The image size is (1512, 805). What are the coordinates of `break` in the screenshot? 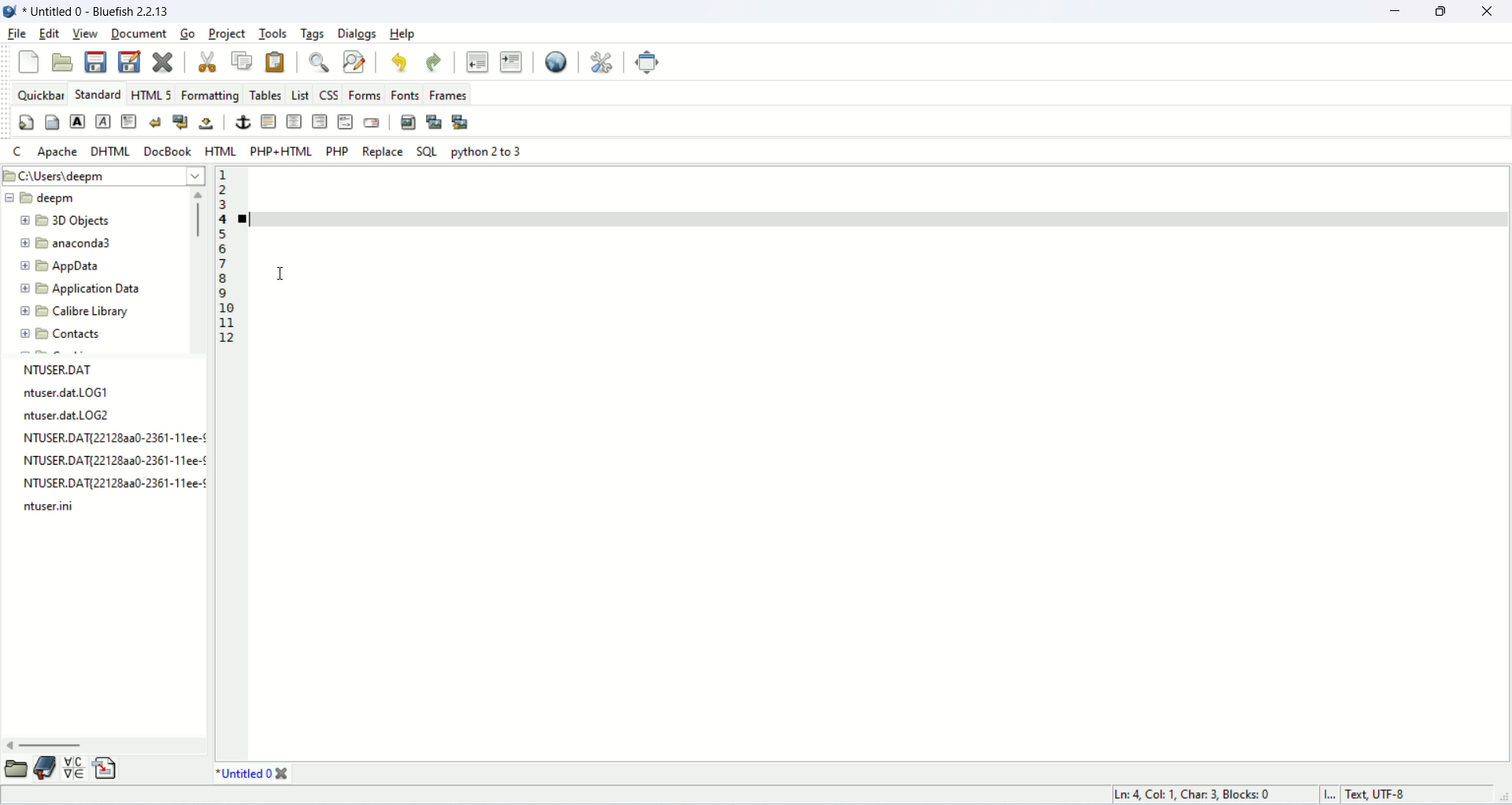 It's located at (157, 122).